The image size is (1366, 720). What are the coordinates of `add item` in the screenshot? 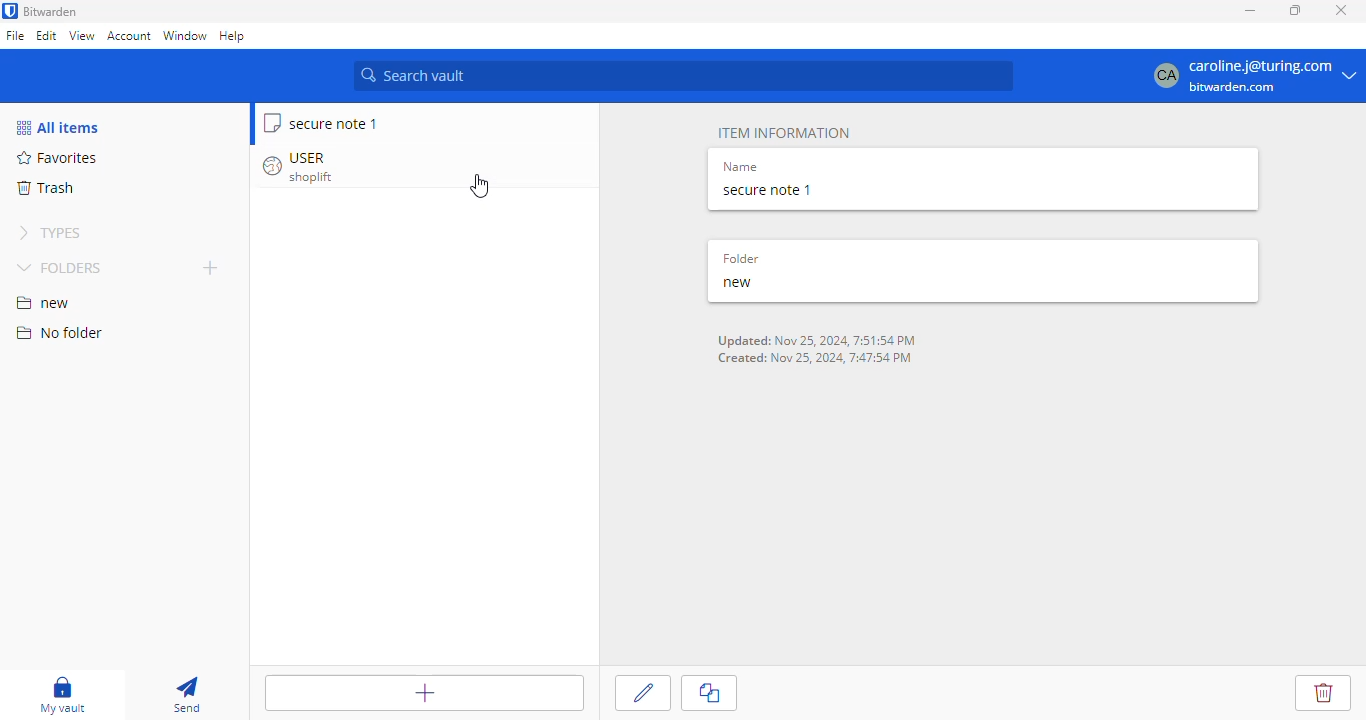 It's located at (423, 691).